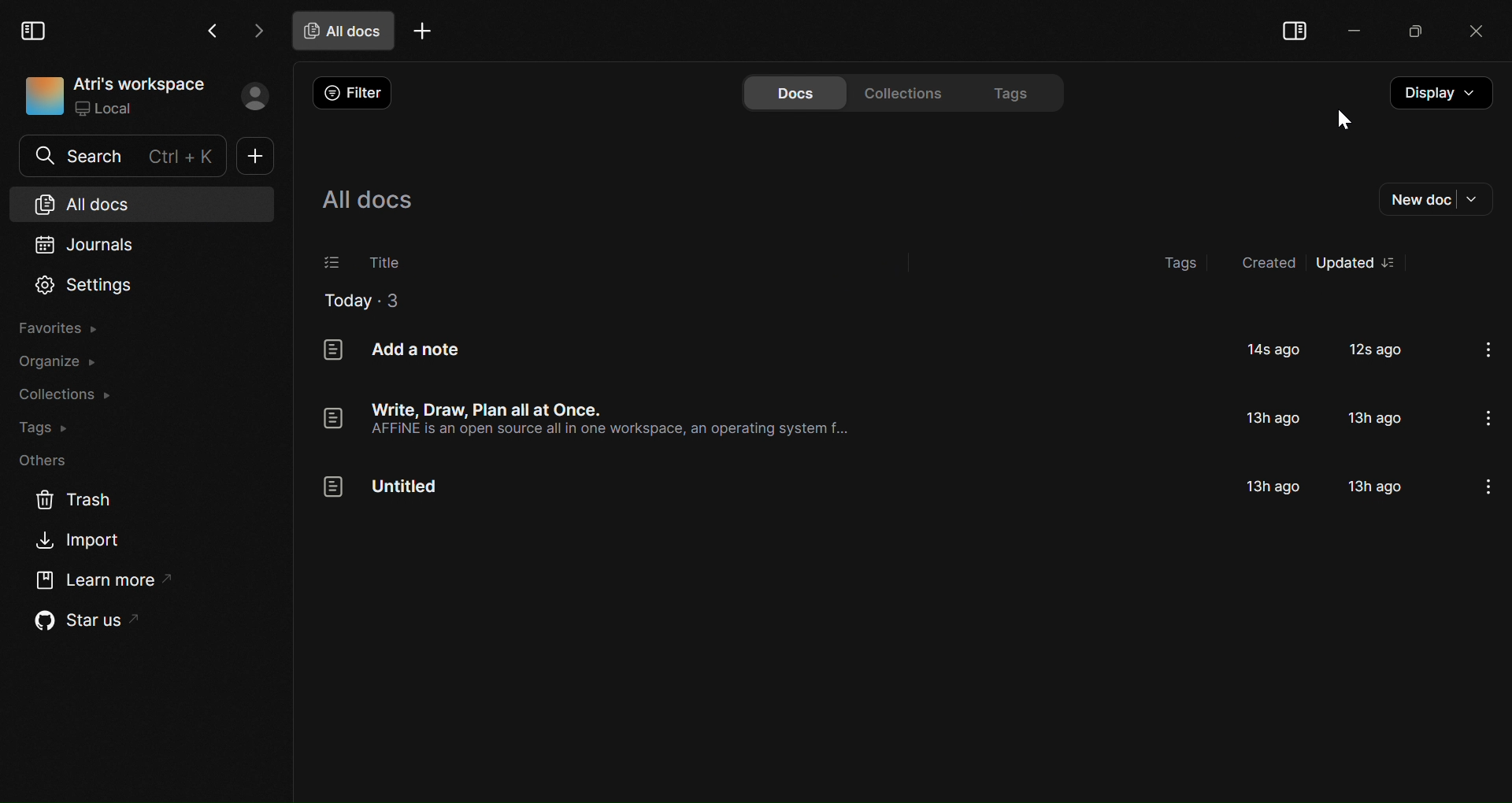 The image size is (1512, 803). I want to click on Tags, so click(1017, 91).